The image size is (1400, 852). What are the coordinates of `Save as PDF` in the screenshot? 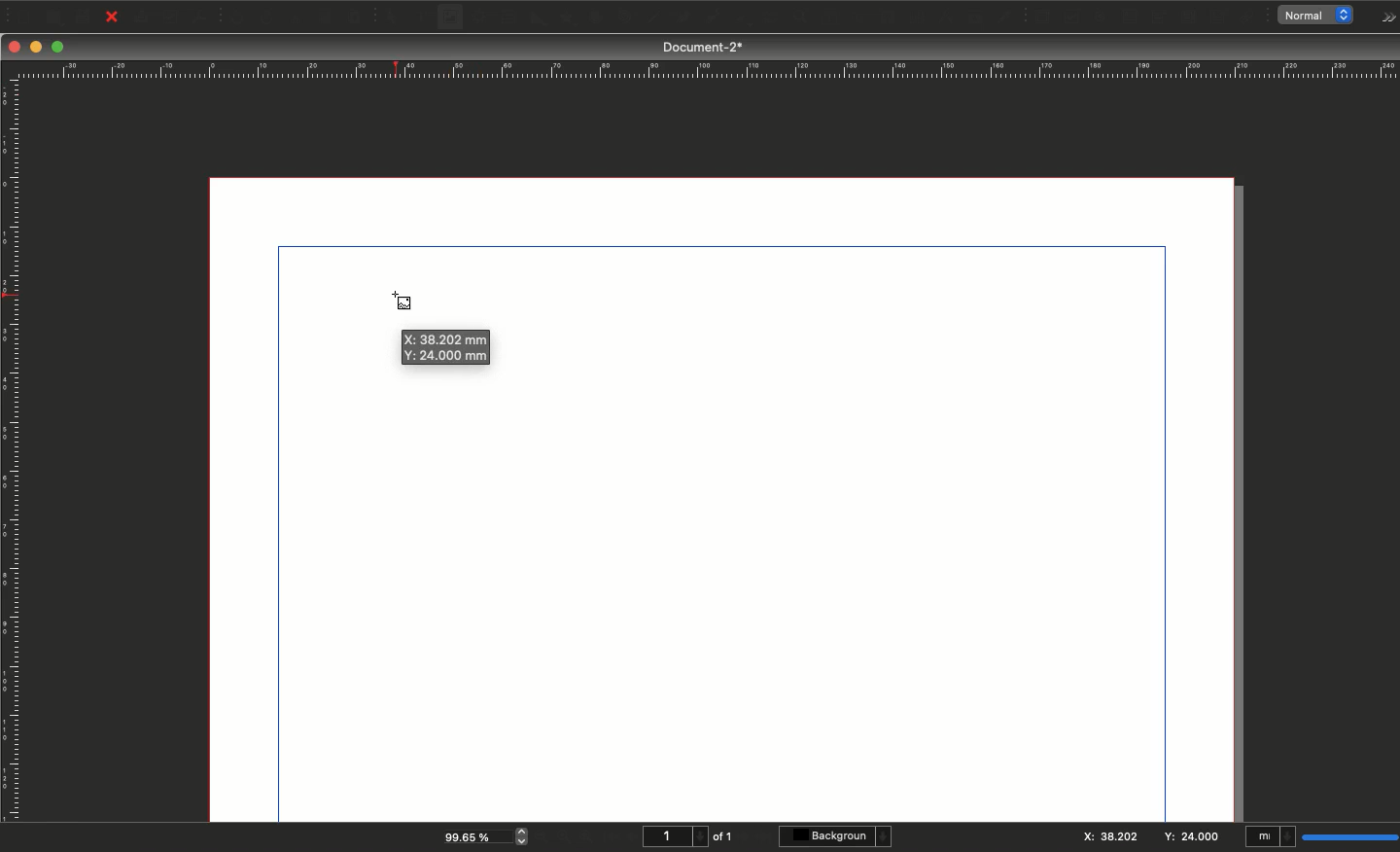 It's located at (202, 17).